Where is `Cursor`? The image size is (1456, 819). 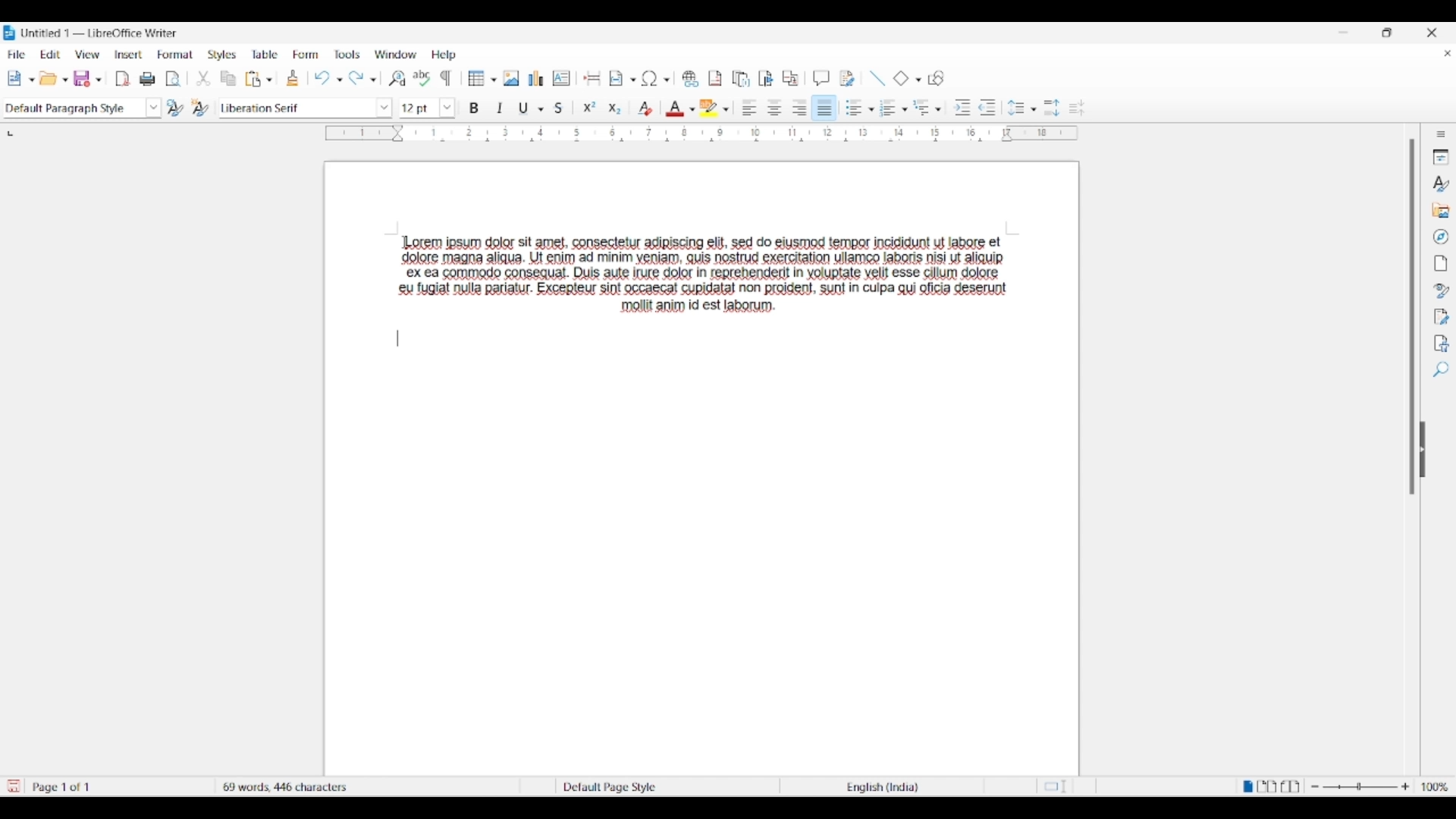
Cursor is located at coordinates (397, 247).